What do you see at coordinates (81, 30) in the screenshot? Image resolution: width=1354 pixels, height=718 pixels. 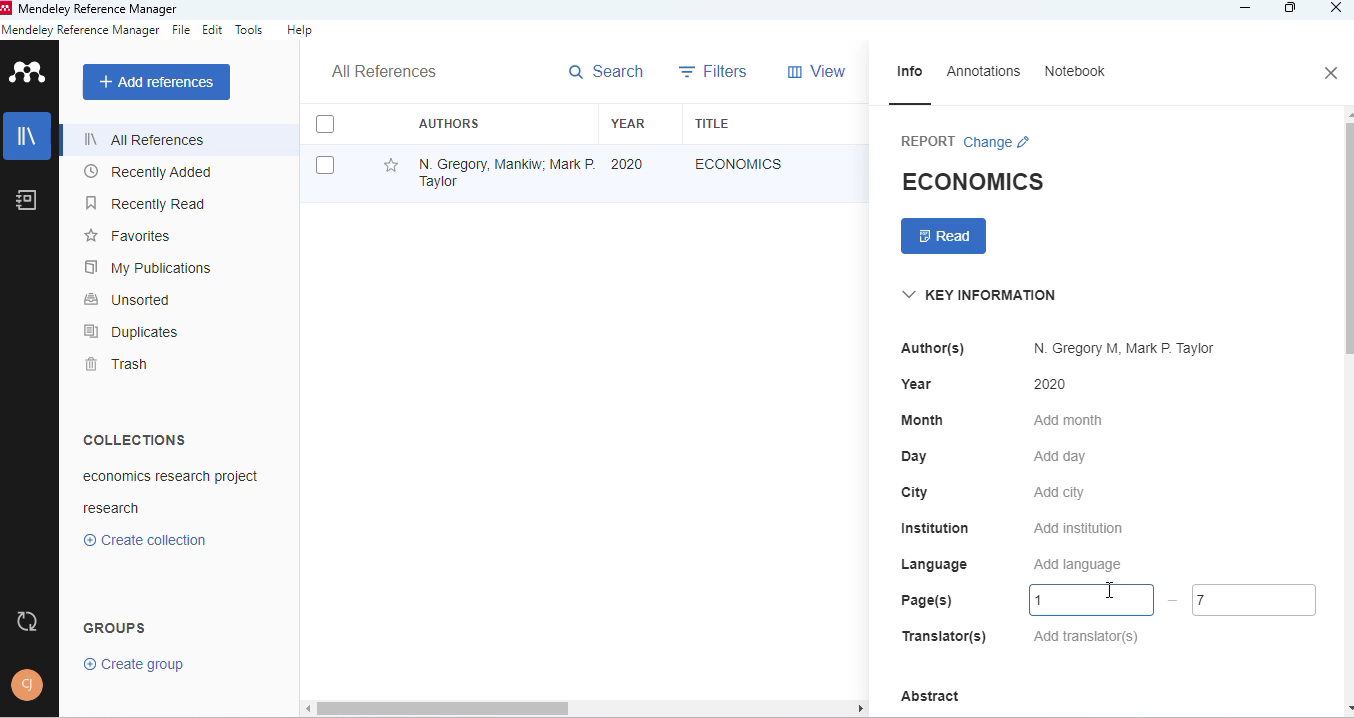 I see `mendeley reference manager` at bounding box center [81, 30].